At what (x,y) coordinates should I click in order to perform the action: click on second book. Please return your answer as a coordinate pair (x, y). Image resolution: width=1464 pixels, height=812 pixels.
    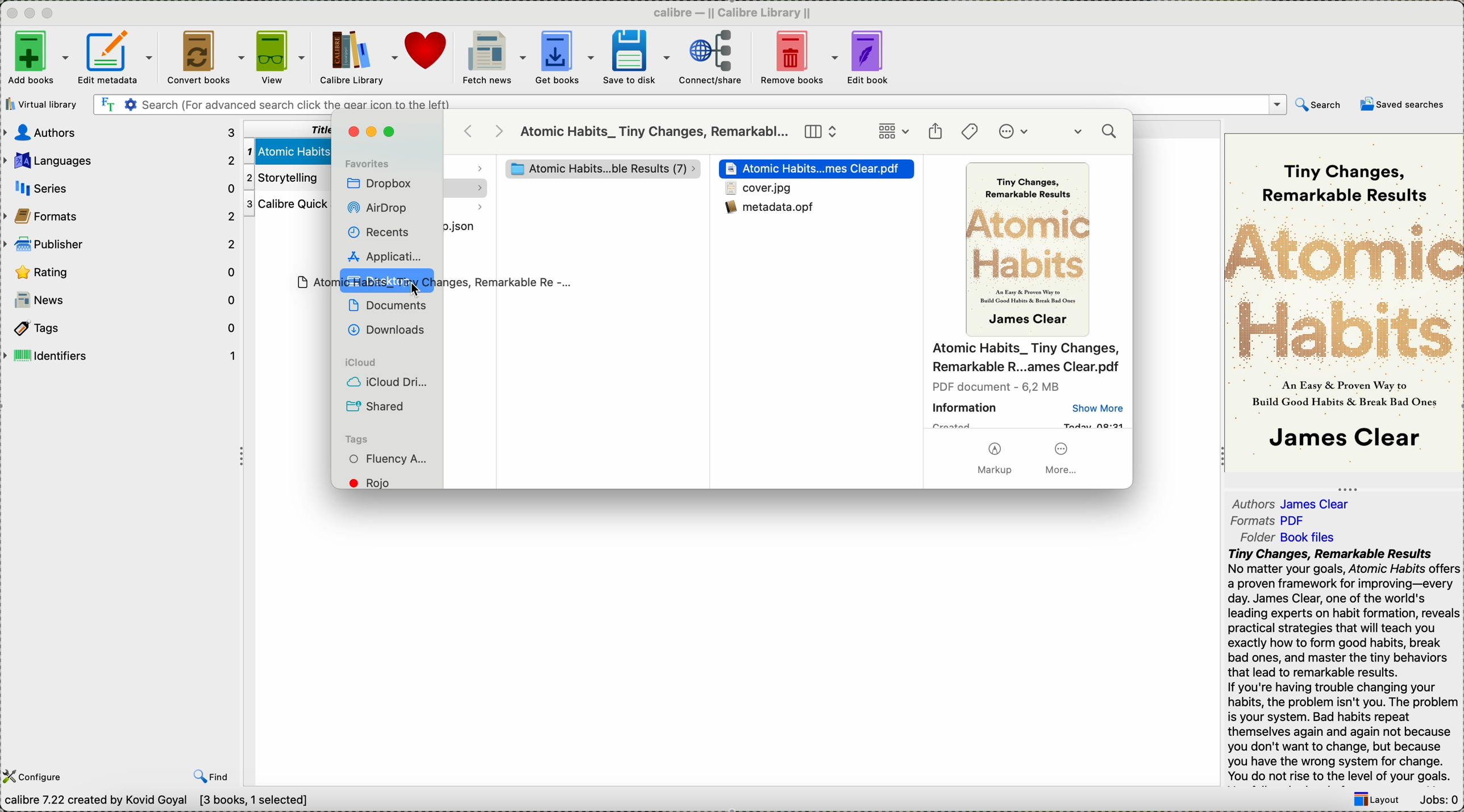
    Looking at the image, I should click on (284, 178).